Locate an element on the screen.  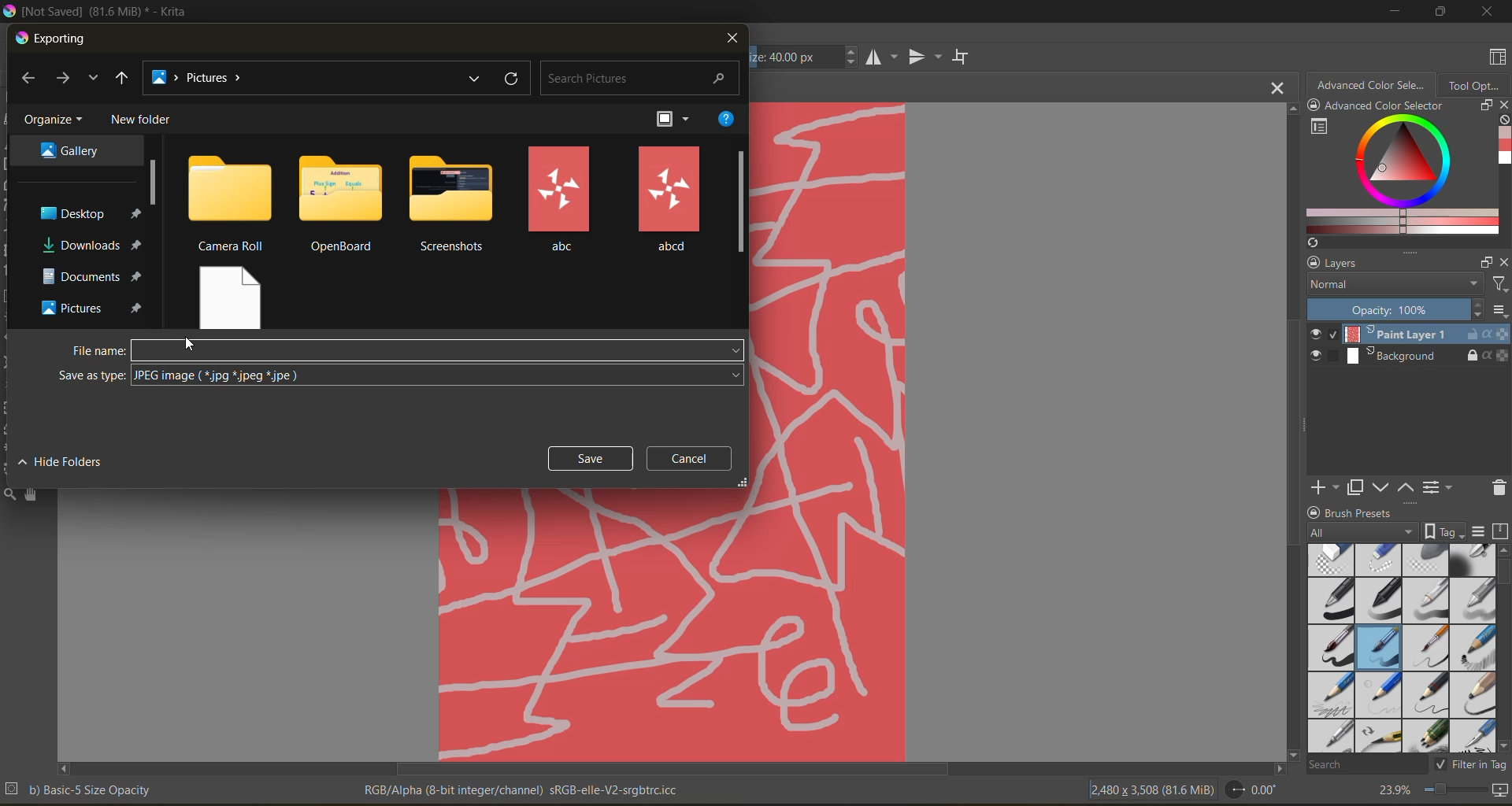
storage resources is located at coordinates (1503, 532).